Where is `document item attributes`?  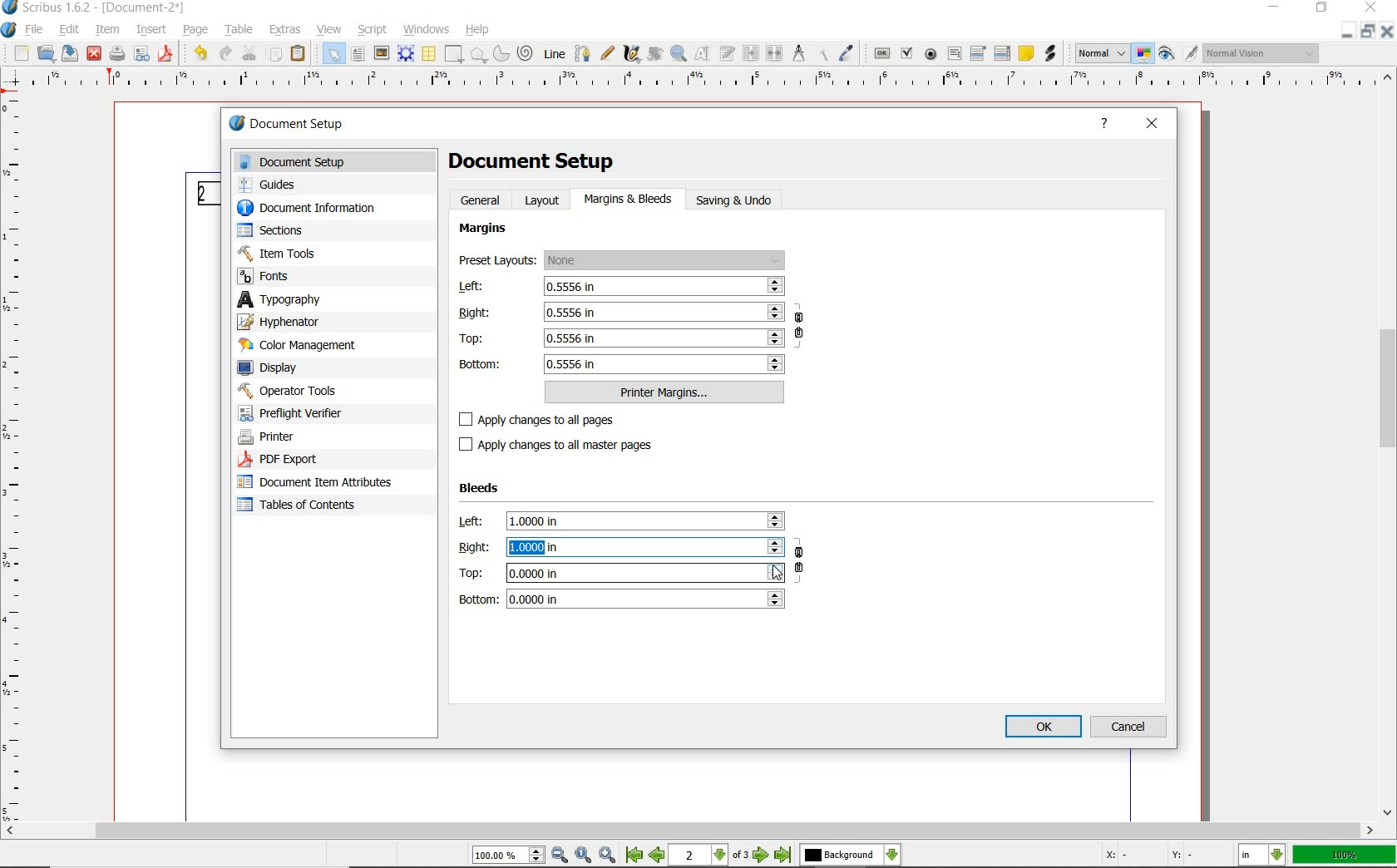 document item attributes is located at coordinates (316, 483).